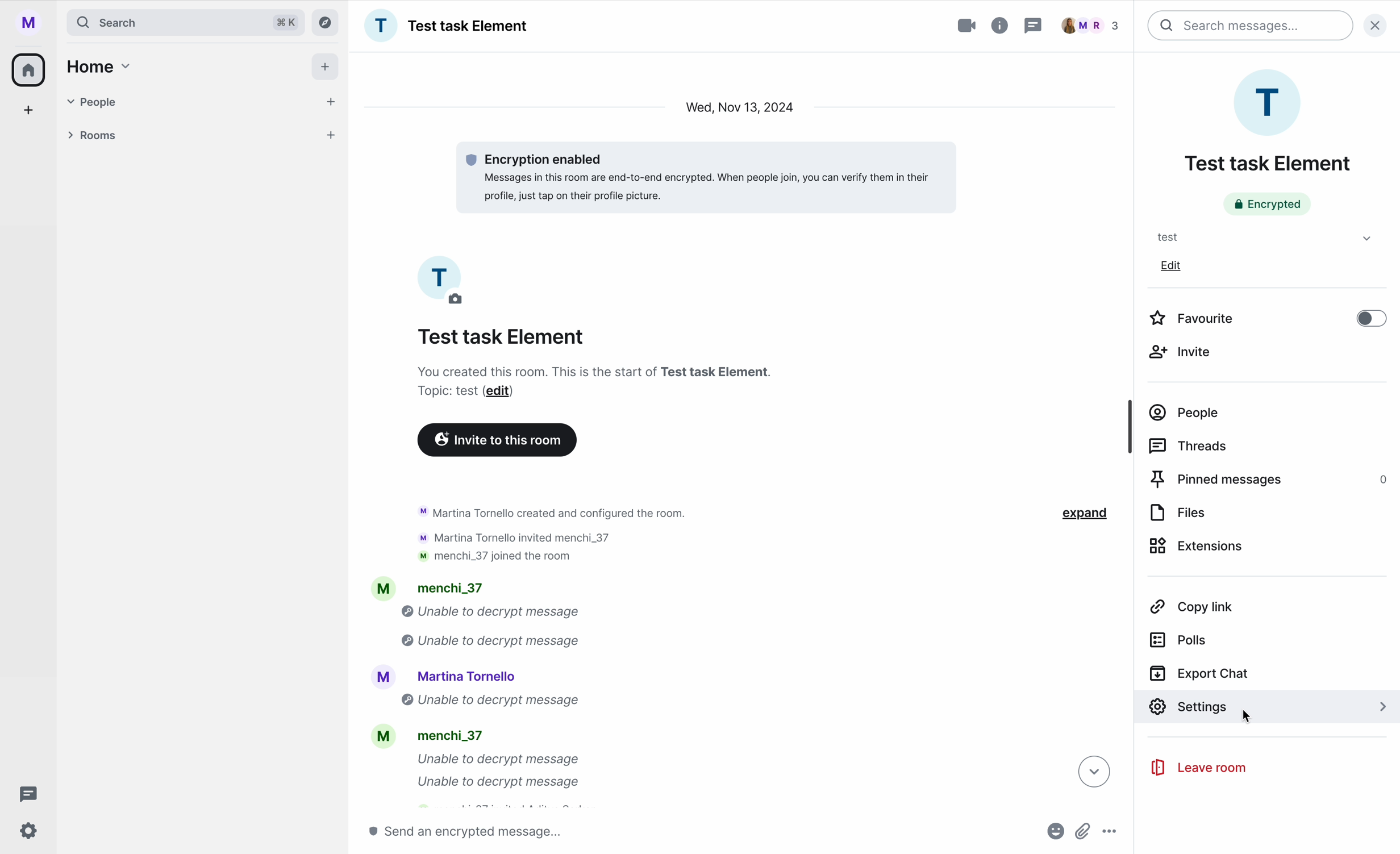 The height and width of the screenshot is (854, 1400). What do you see at coordinates (1186, 413) in the screenshot?
I see `people` at bounding box center [1186, 413].